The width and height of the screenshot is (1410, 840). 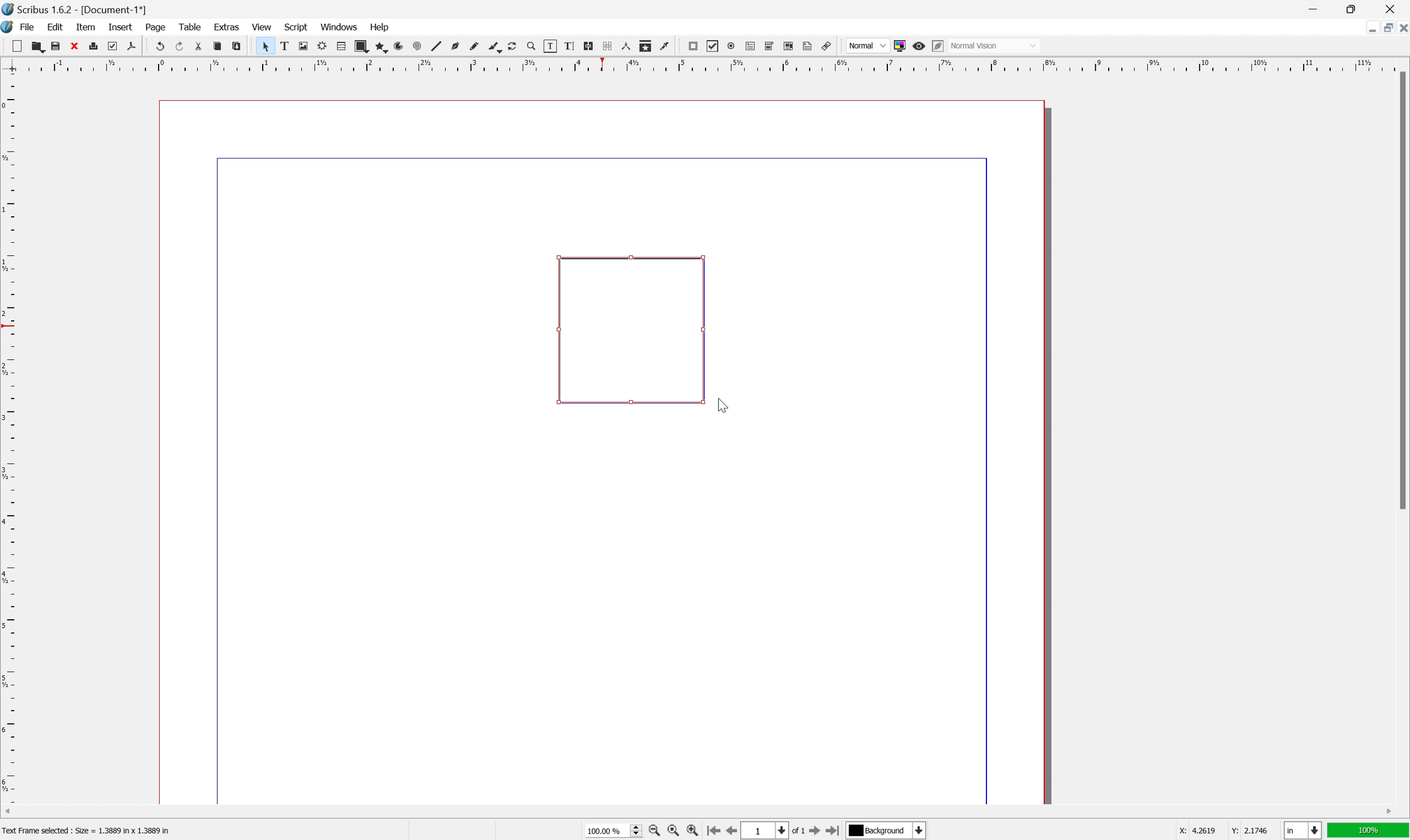 I want to click on pdf text field, so click(x=750, y=46).